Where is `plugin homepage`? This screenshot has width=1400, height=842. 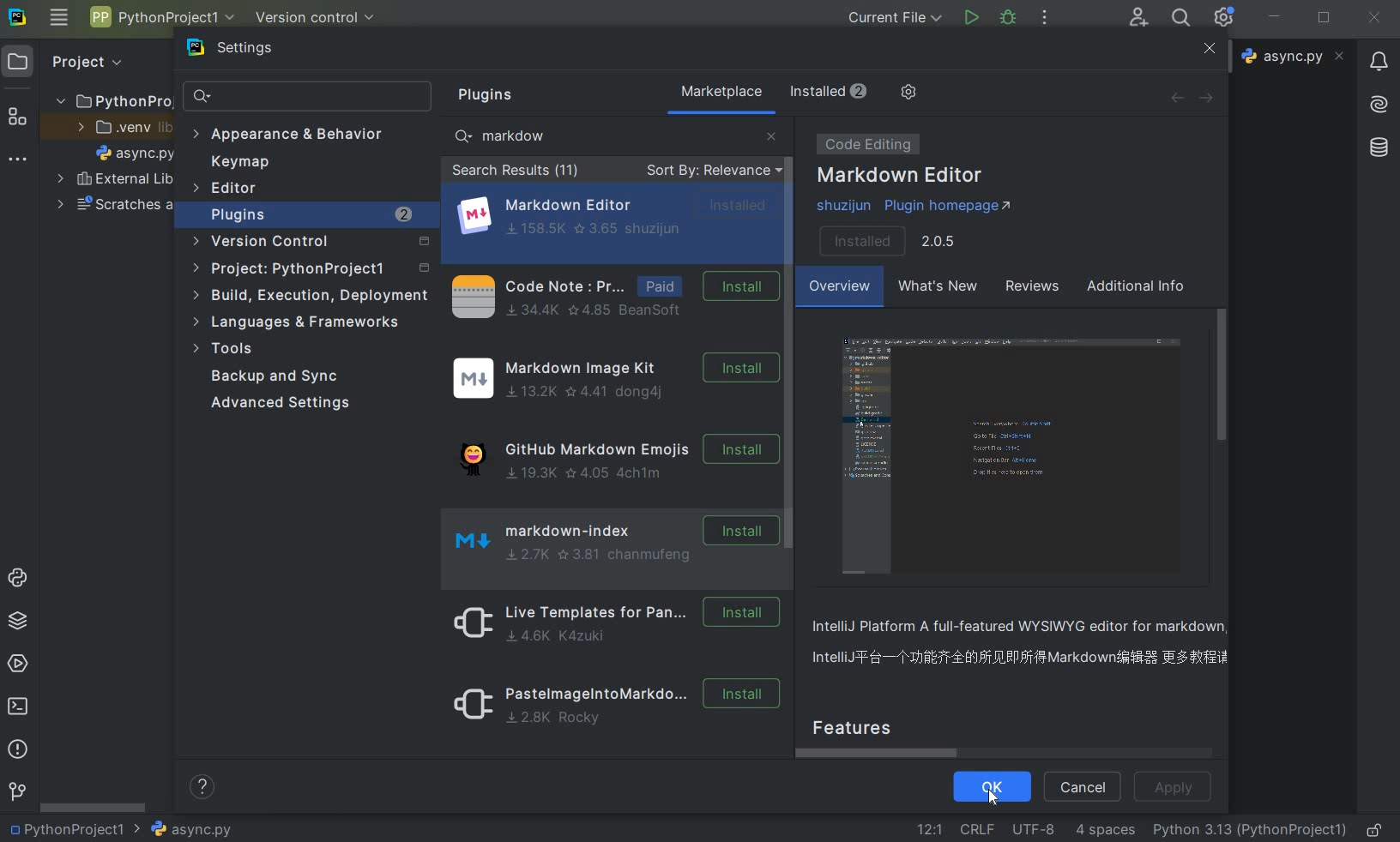 plugin homepage is located at coordinates (920, 207).